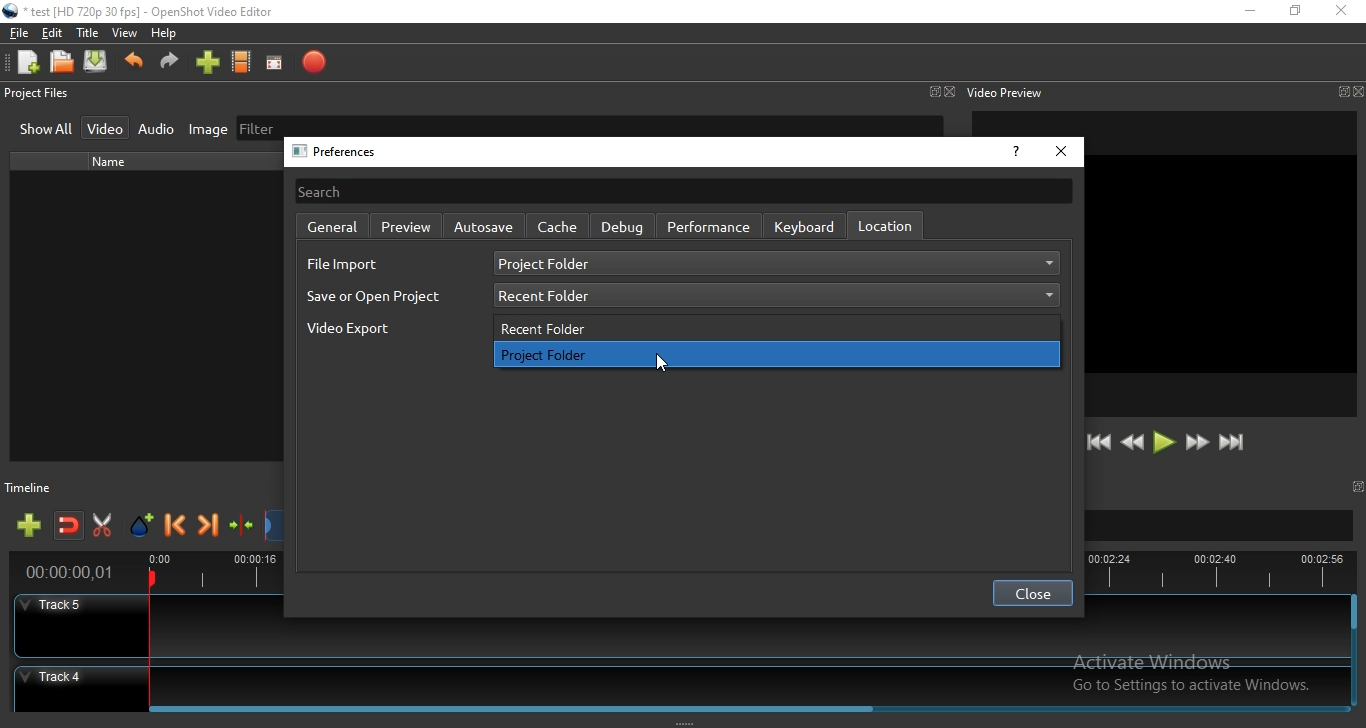 This screenshot has height=728, width=1366. What do you see at coordinates (203, 130) in the screenshot?
I see `Image` at bounding box center [203, 130].